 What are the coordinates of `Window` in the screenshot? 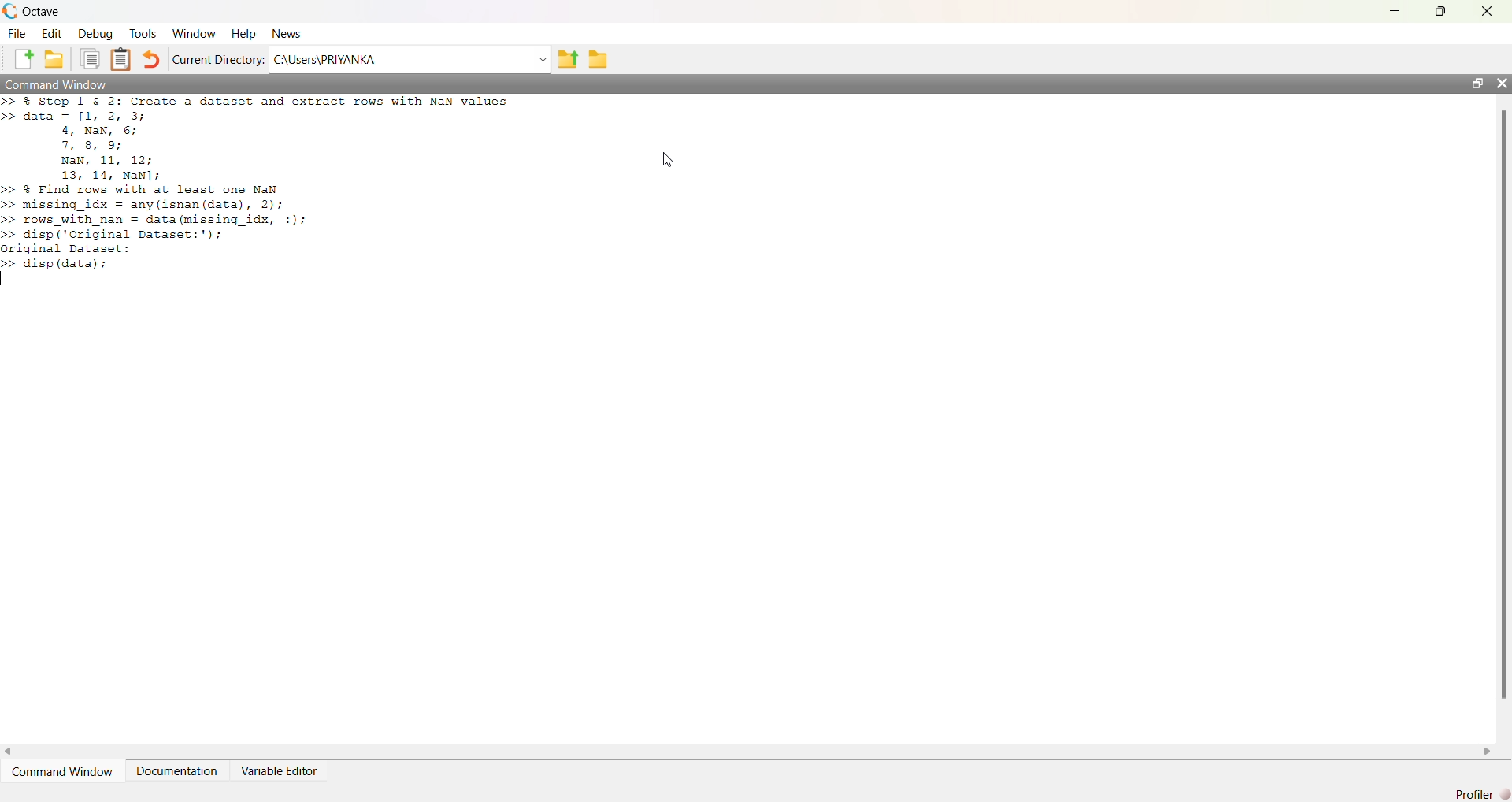 It's located at (195, 34).